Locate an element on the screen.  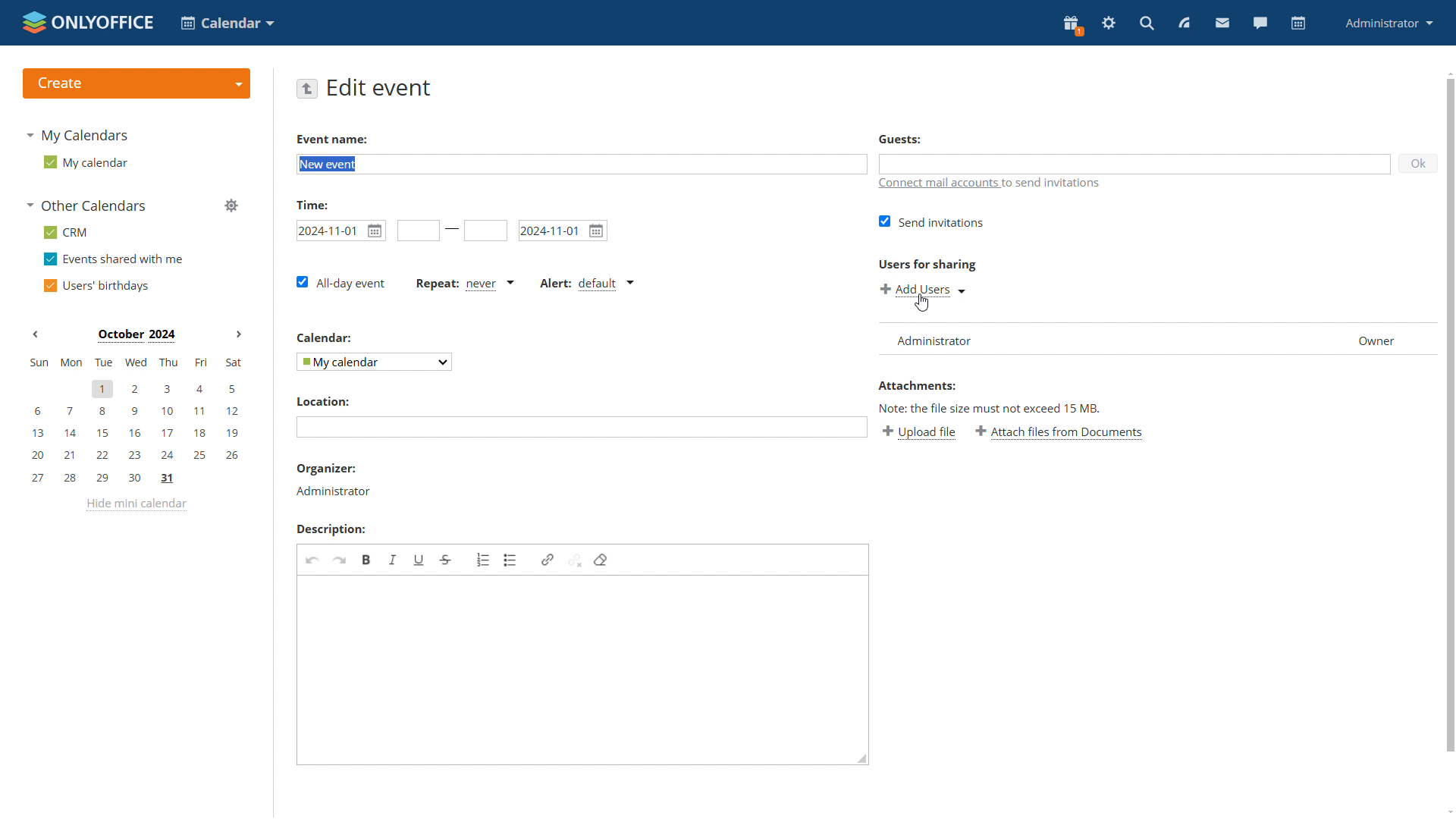
send invitations is located at coordinates (931, 221).